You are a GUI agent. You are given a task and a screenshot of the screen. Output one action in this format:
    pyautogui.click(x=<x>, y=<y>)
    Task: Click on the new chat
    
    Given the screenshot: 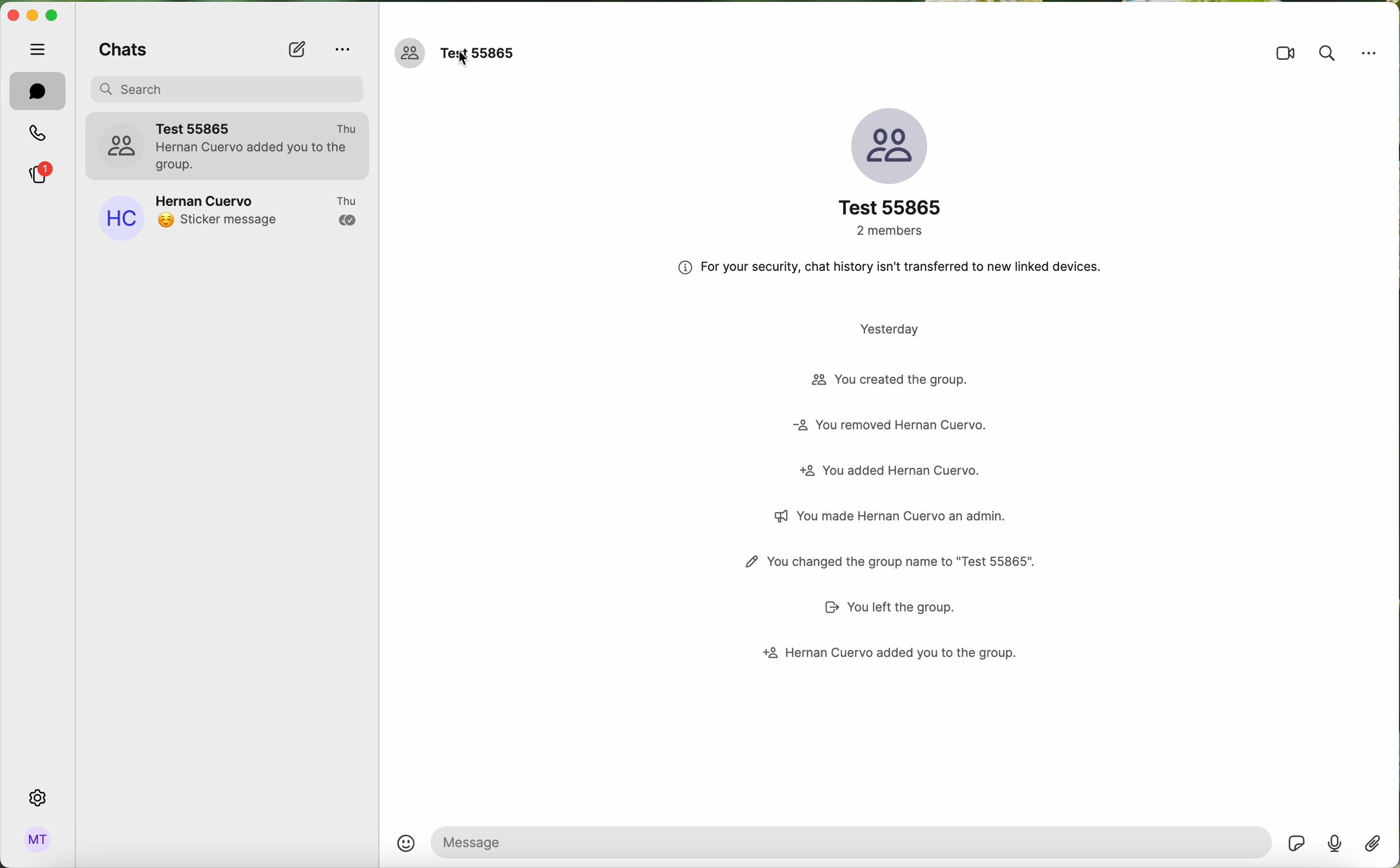 What is the action you would take?
    pyautogui.click(x=297, y=51)
    